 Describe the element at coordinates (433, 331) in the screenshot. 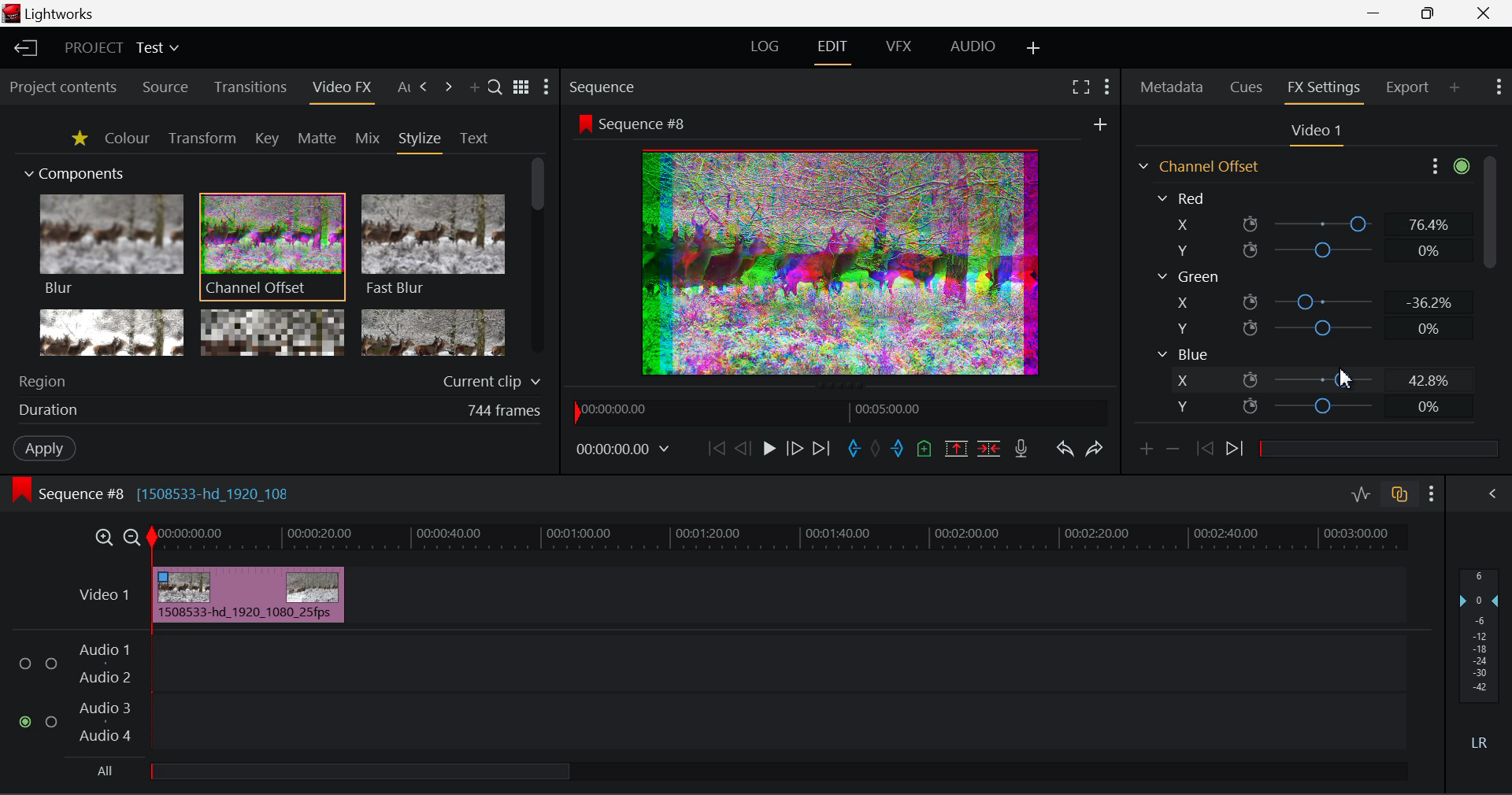

I see `Posterize` at that location.